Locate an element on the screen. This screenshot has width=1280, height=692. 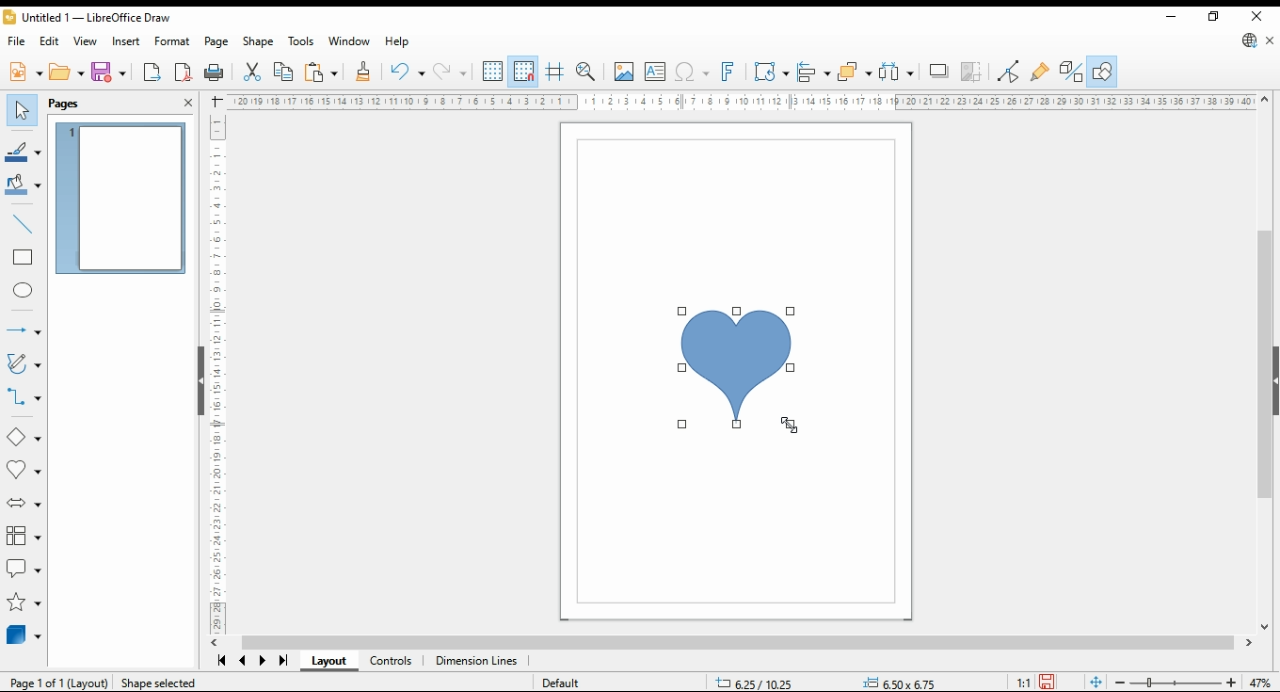
help is located at coordinates (398, 42).